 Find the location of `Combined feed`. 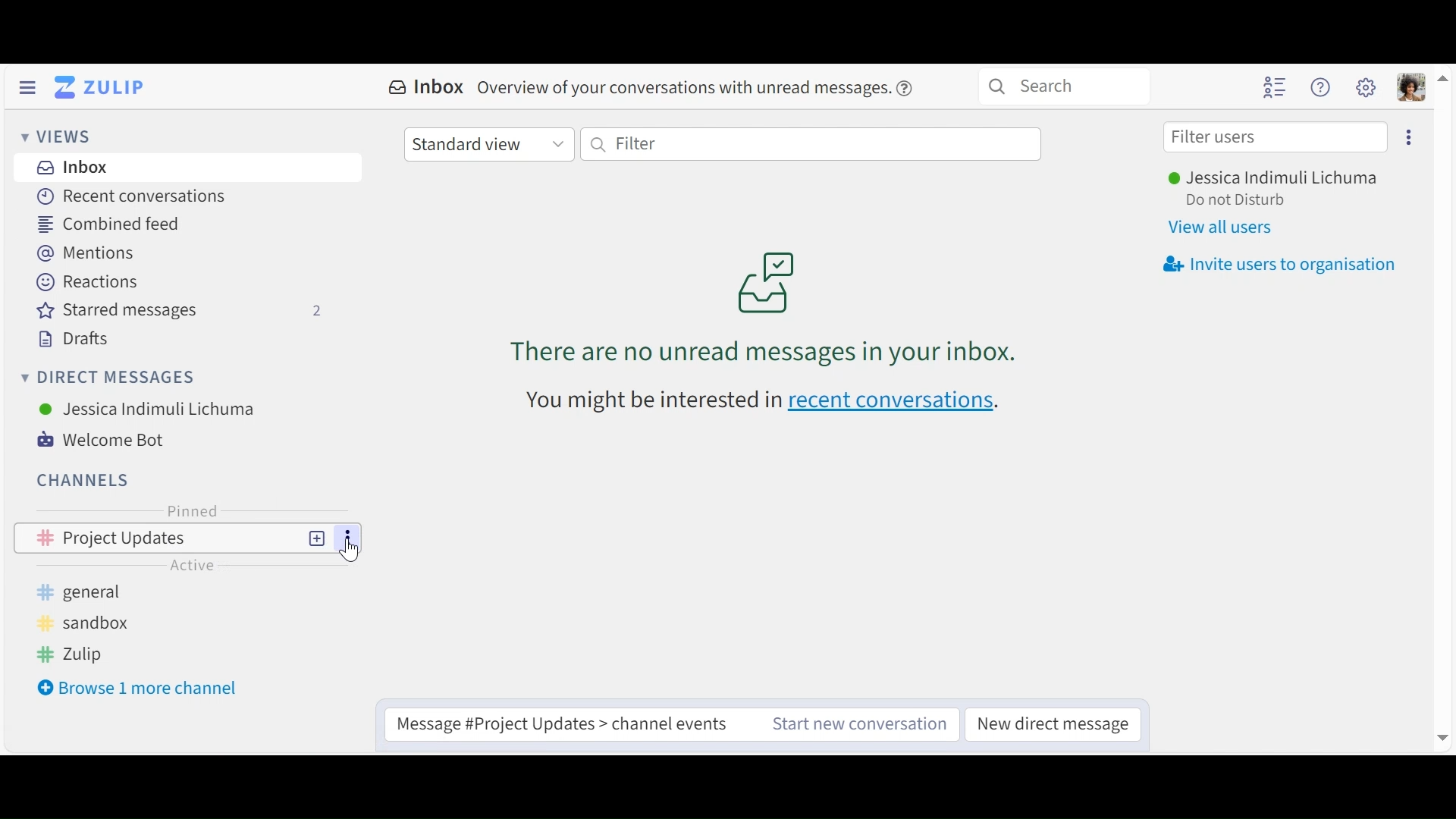

Combined feed is located at coordinates (116, 224).